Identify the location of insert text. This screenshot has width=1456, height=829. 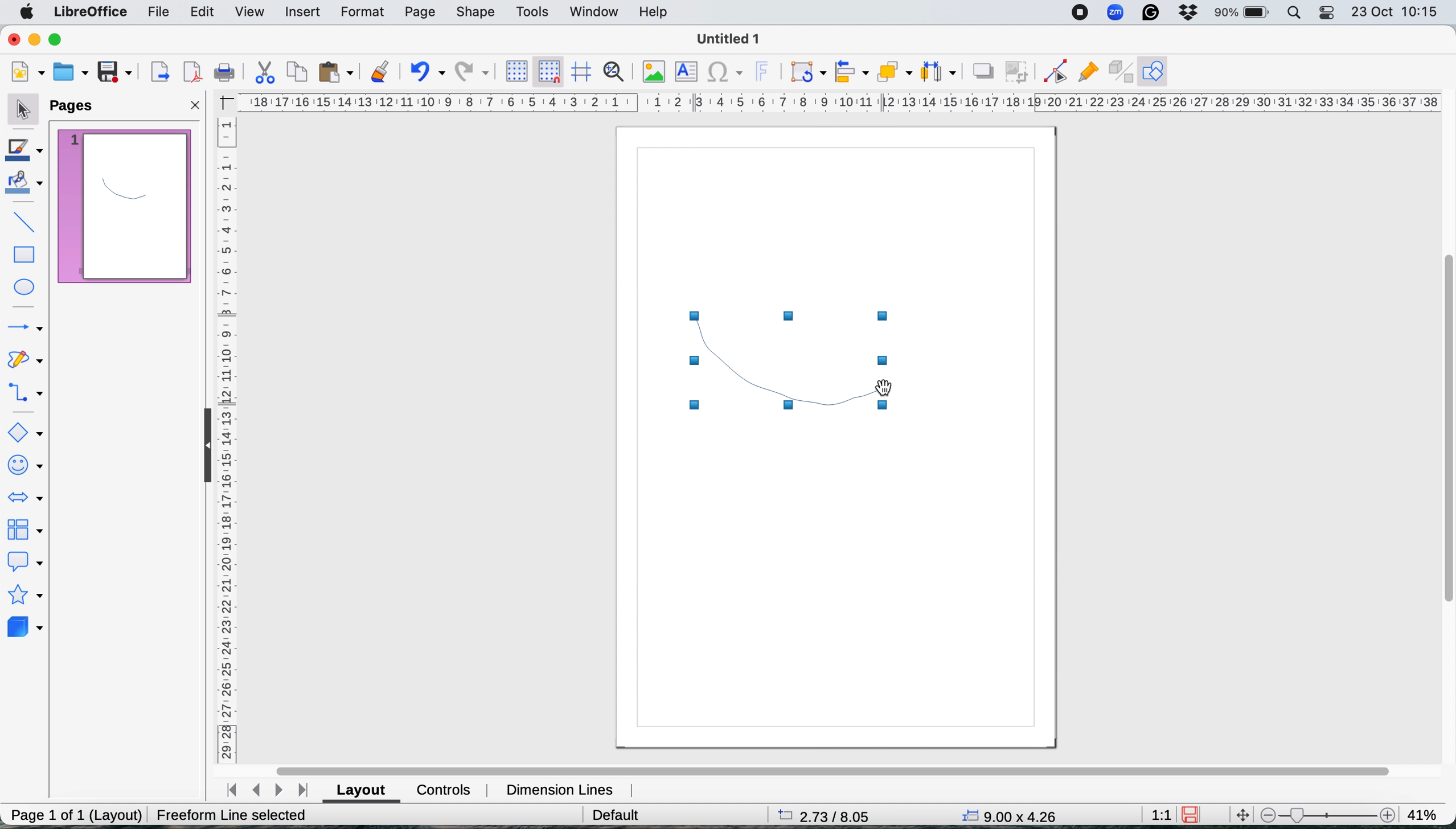
(689, 72).